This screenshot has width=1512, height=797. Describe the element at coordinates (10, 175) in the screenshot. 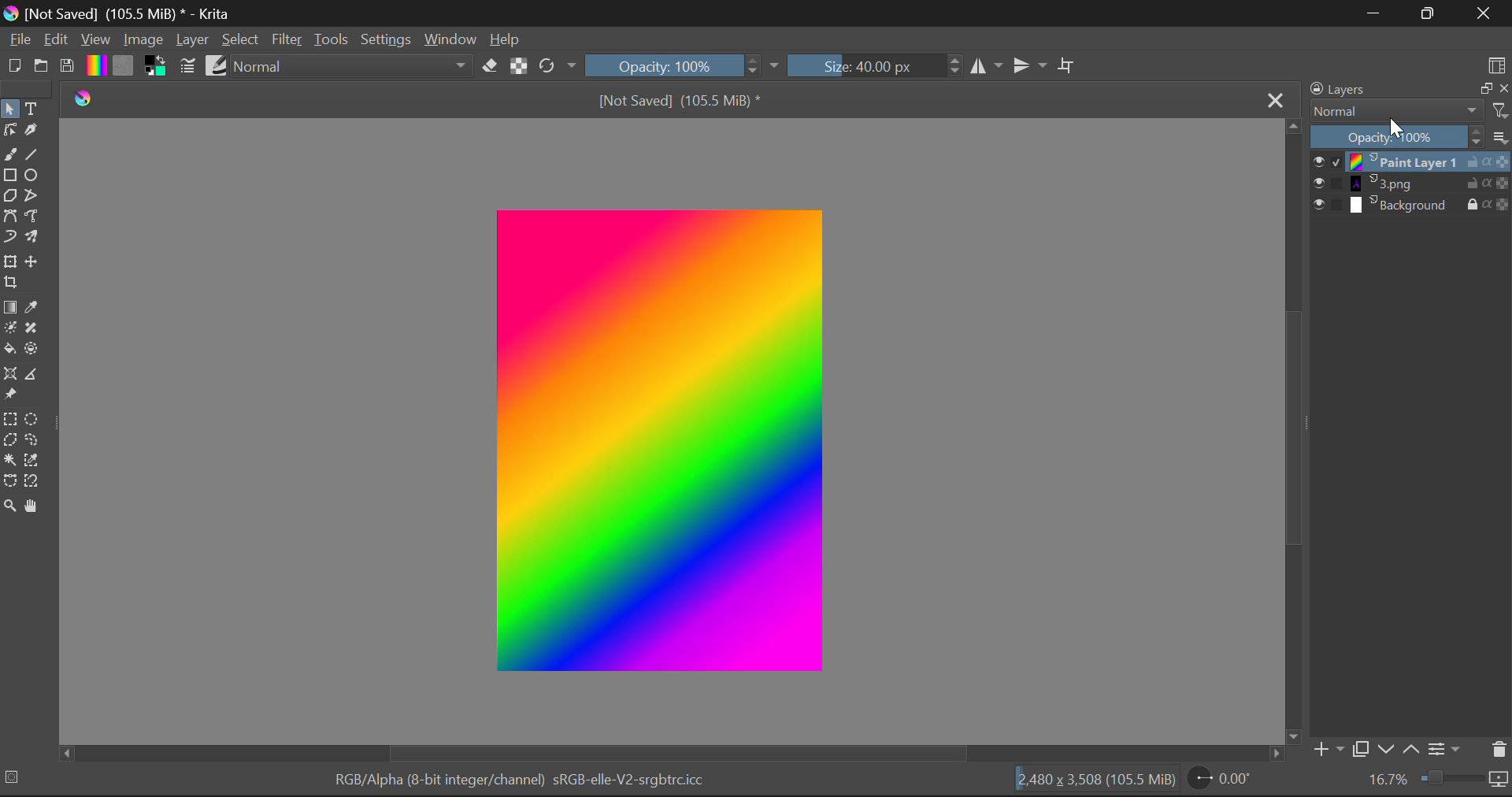

I see `Rectangle` at that location.